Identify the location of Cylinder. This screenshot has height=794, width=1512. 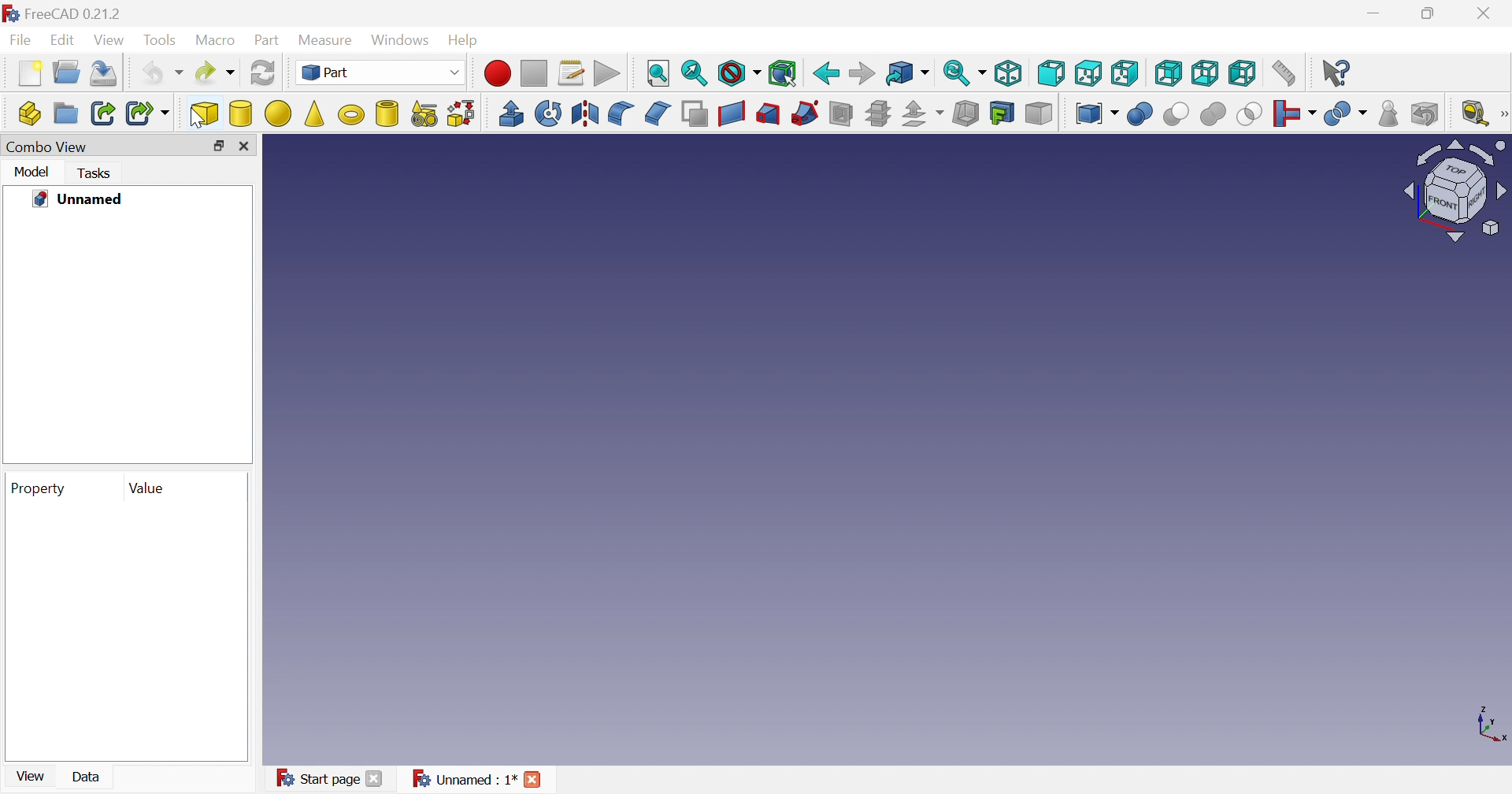
(241, 114).